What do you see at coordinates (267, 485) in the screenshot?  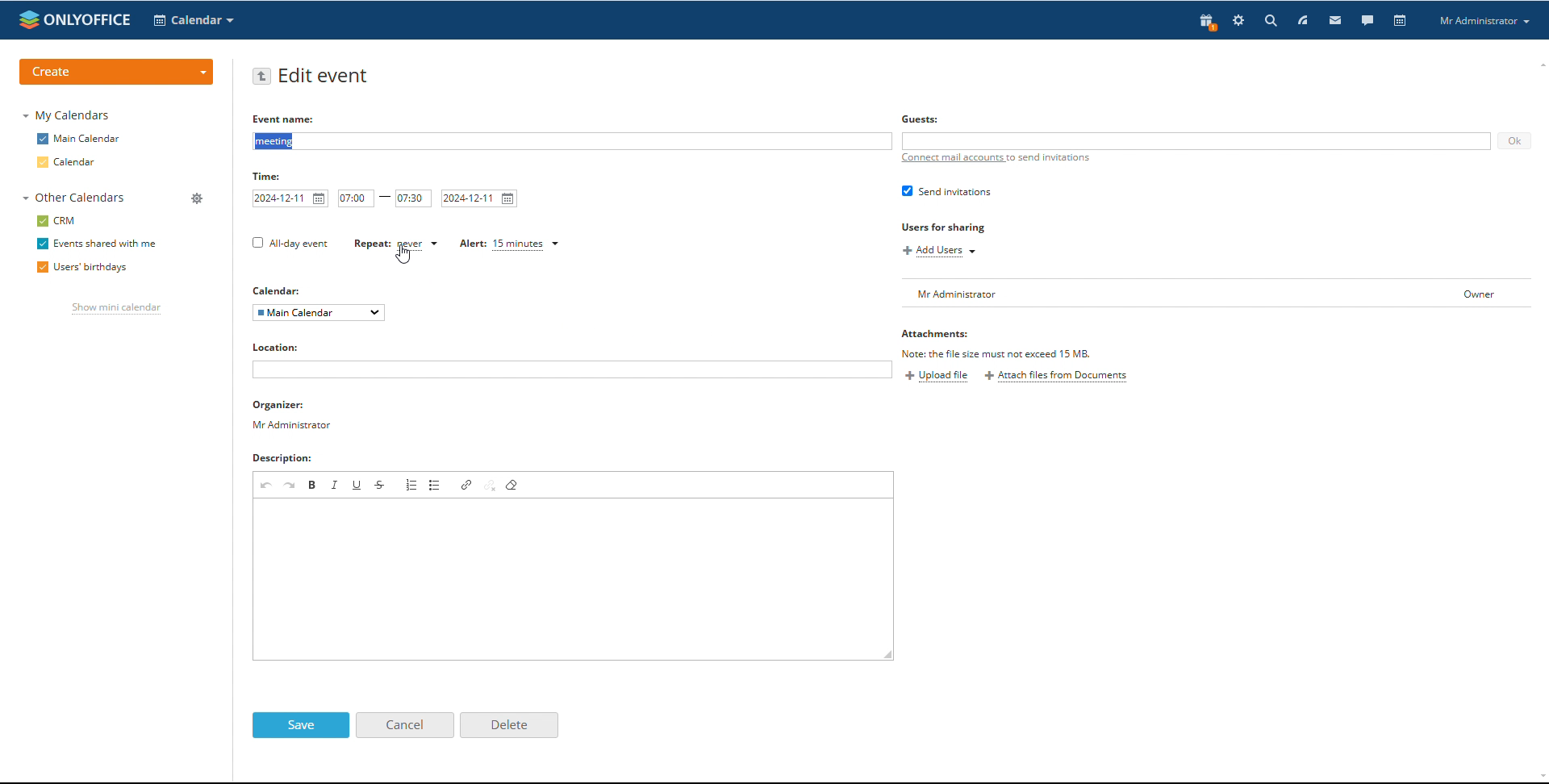 I see `undo` at bounding box center [267, 485].